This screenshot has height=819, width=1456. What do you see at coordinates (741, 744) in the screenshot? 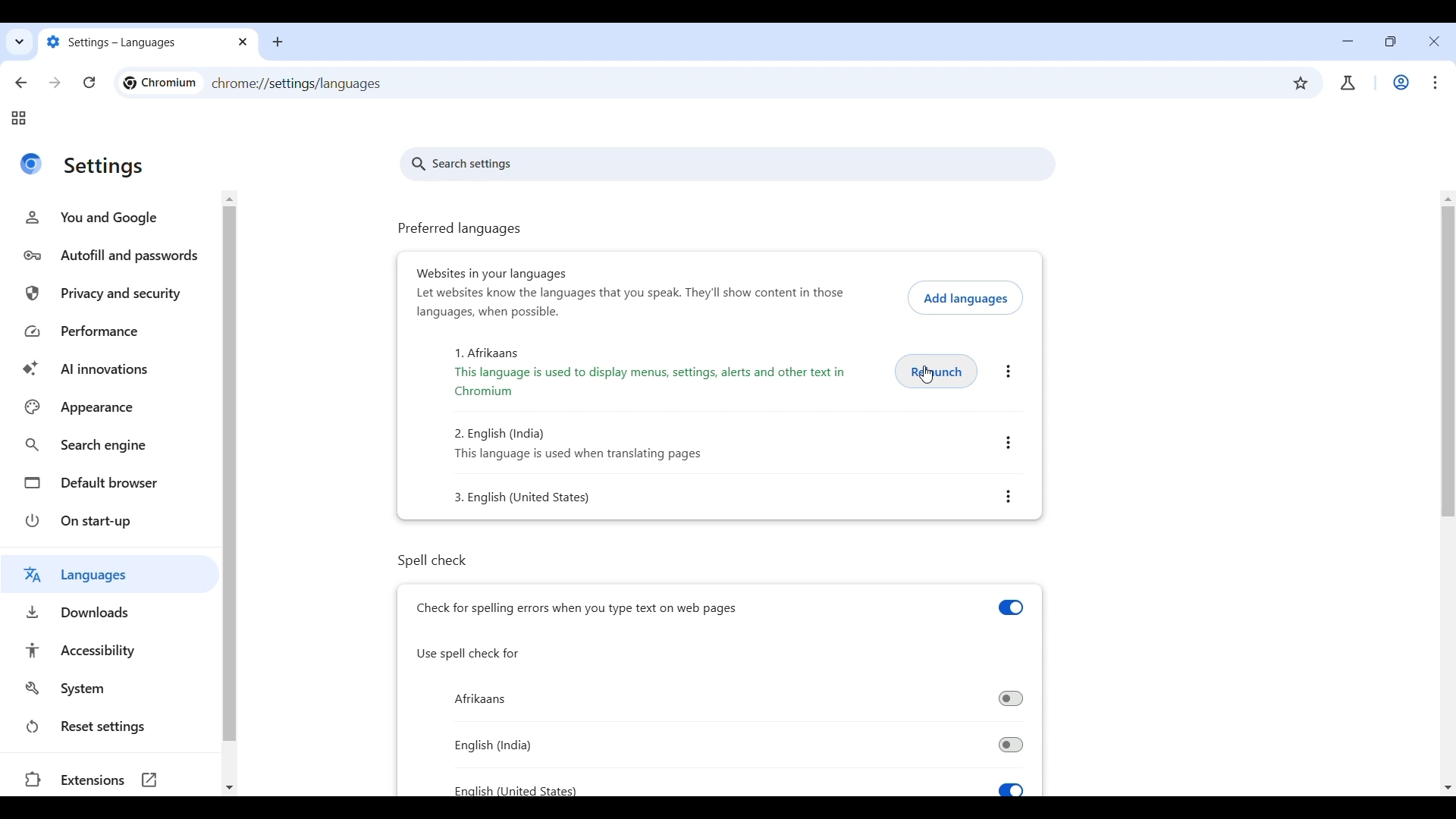
I see `Toggle for spell check in Afrikaans` at bounding box center [741, 744].